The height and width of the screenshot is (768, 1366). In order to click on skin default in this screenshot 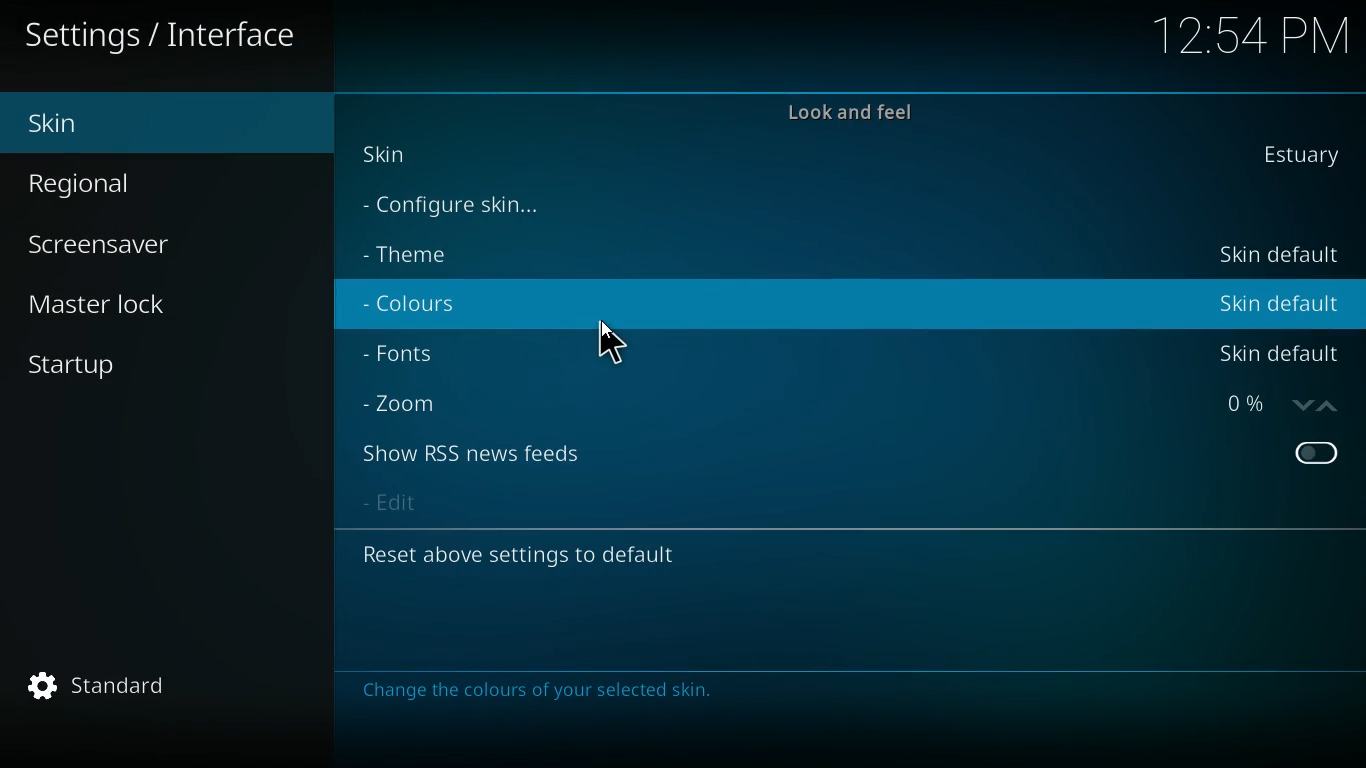, I will do `click(1278, 303)`.